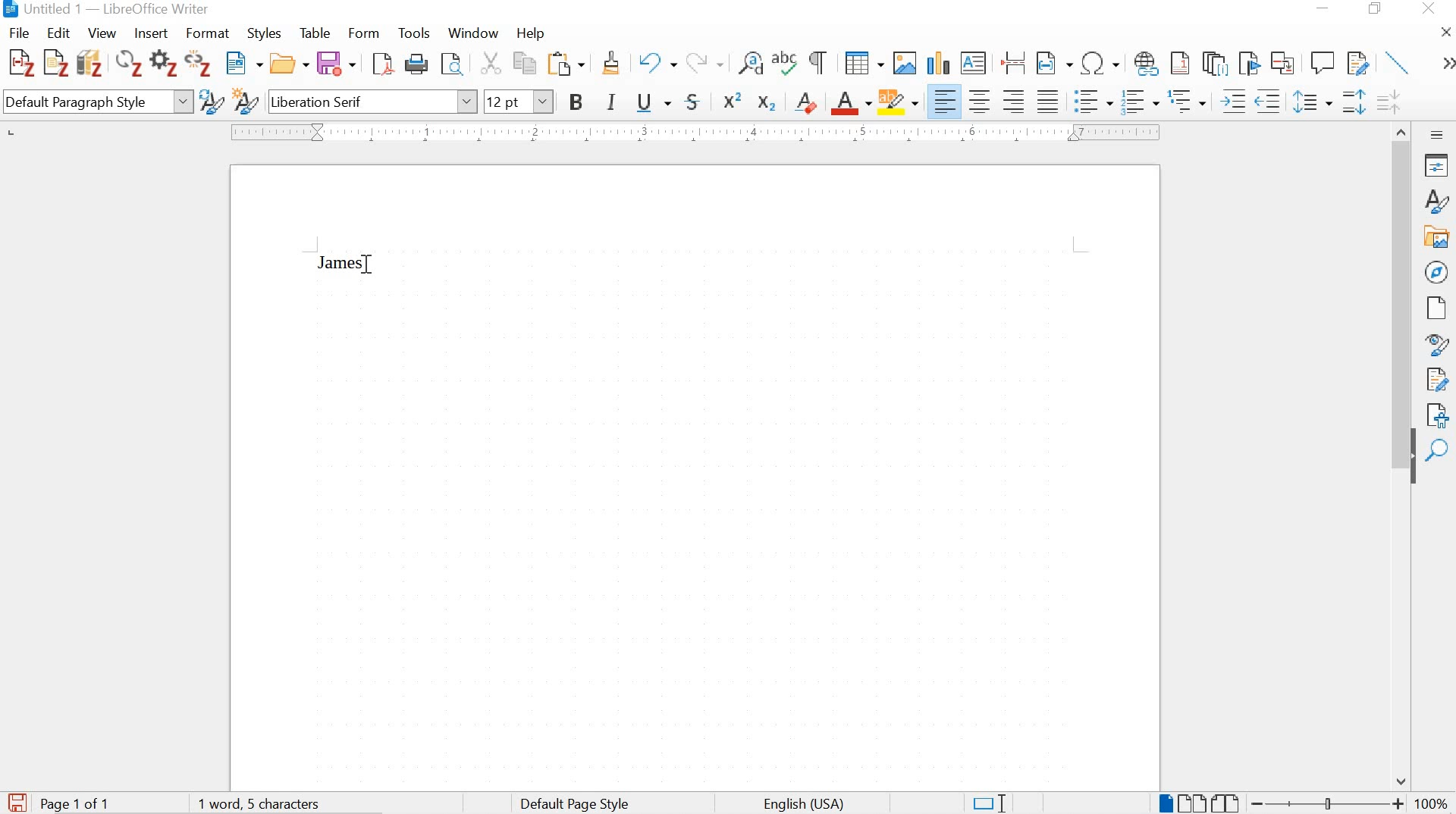 This screenshot has height=814, width=1456. Describe the element at coordinates (1438, 414) in the screenshot. I see `accessibility check` at that location.